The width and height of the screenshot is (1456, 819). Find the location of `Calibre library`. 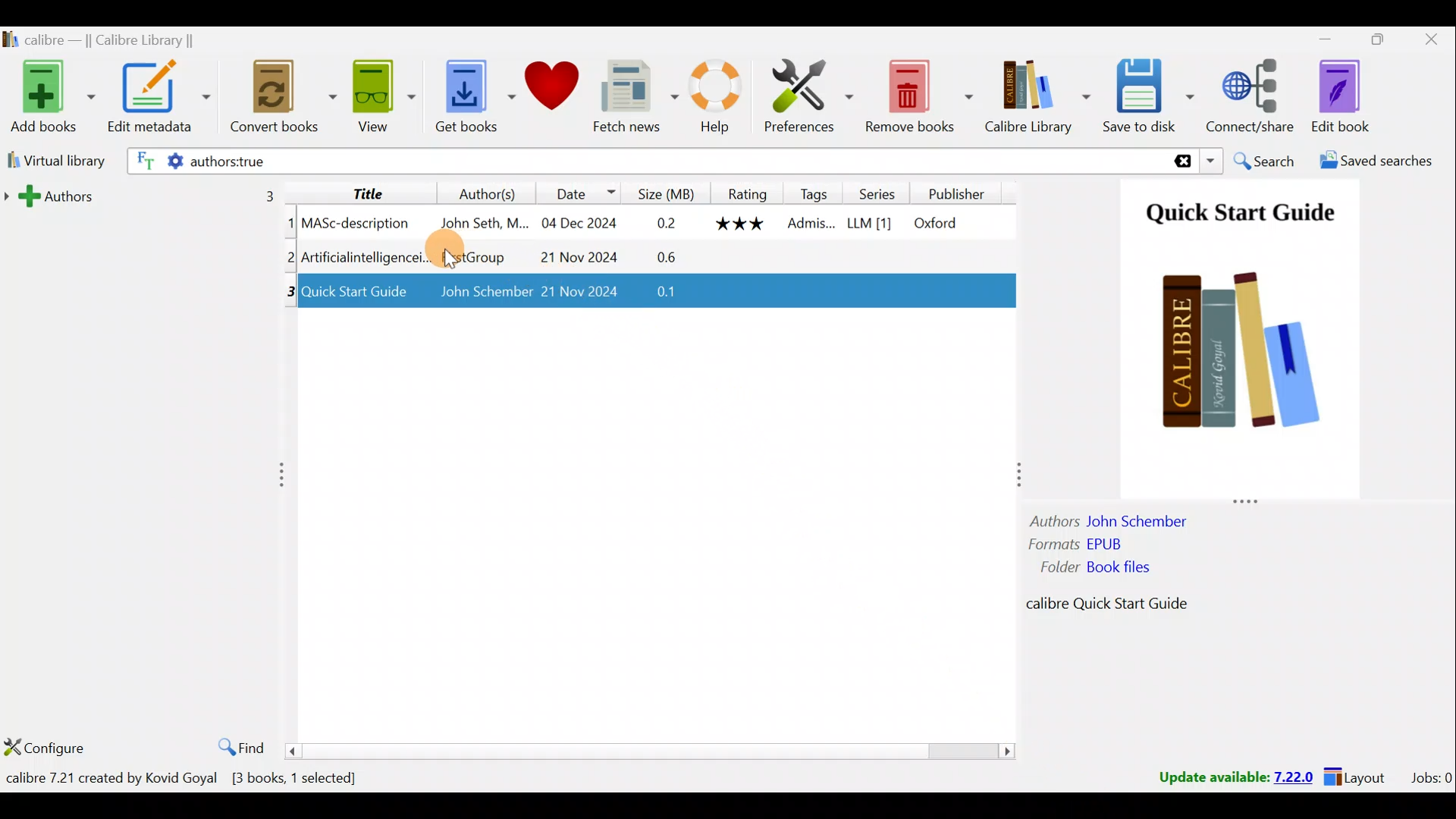

Calibre library is located at coordinates (1031, 96).